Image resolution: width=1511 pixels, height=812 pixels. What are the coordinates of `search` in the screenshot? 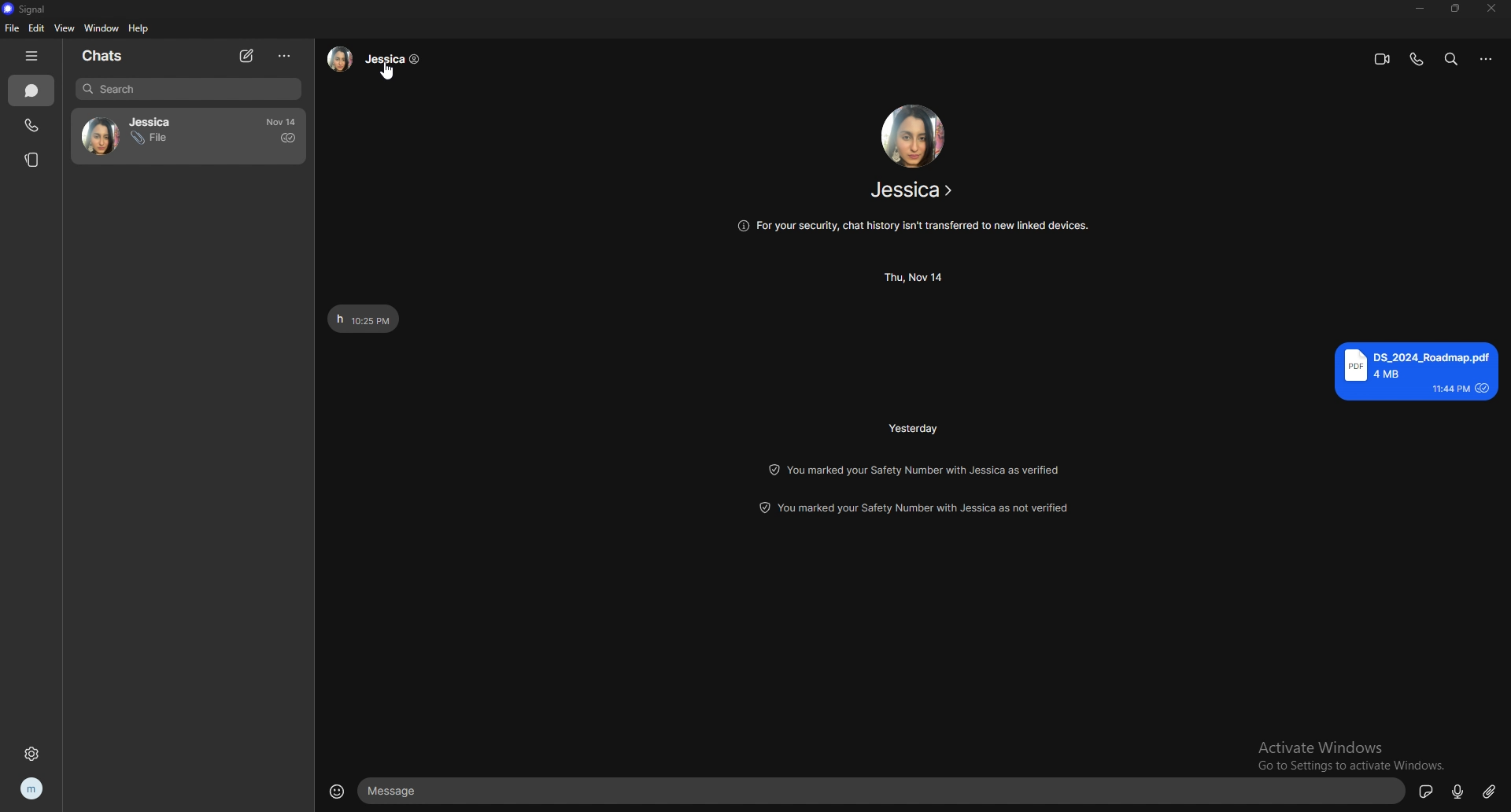 It's located at (1456, 58).